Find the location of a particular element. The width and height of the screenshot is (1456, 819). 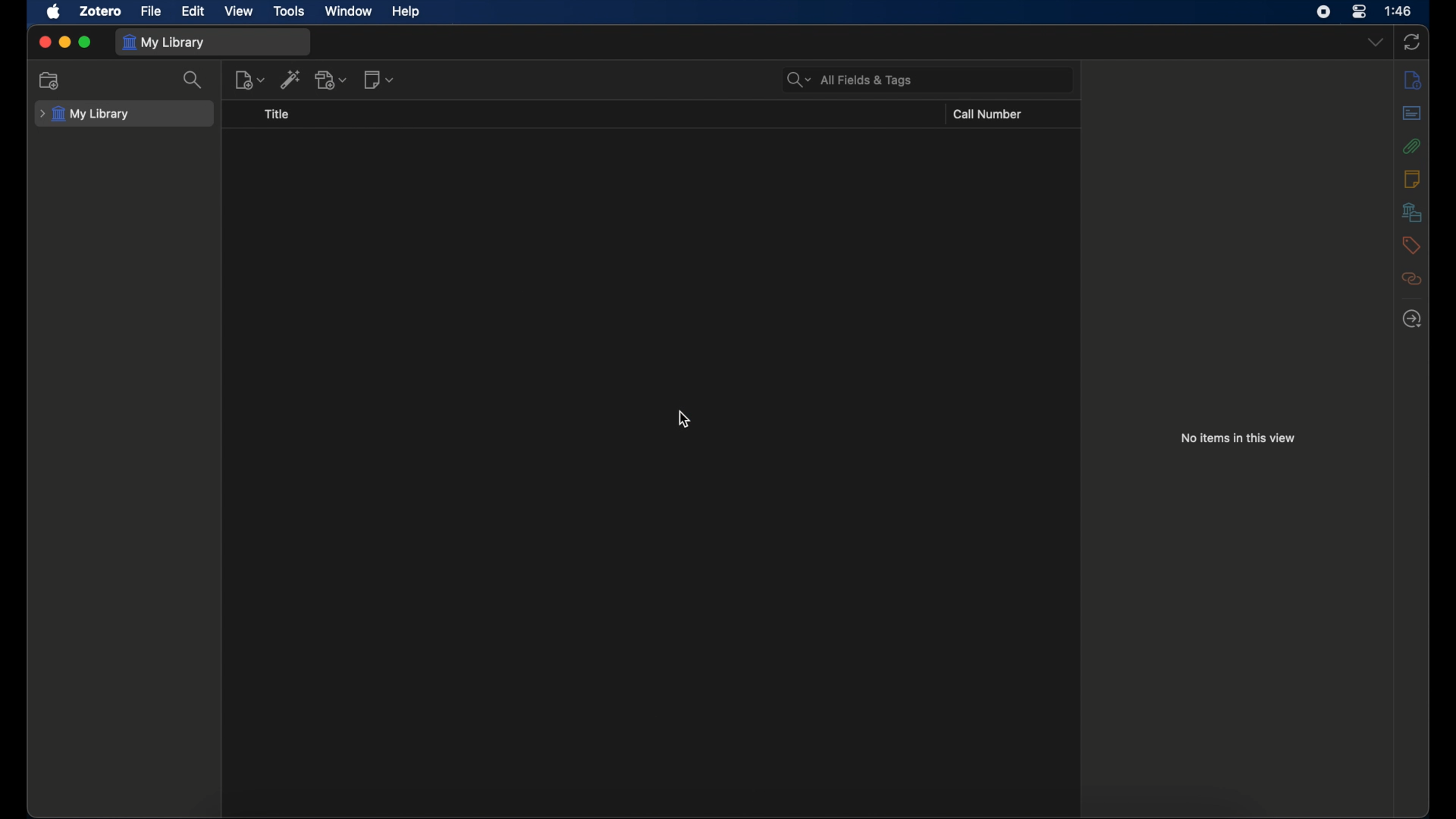

maximize is located at coordinates (86, 42).